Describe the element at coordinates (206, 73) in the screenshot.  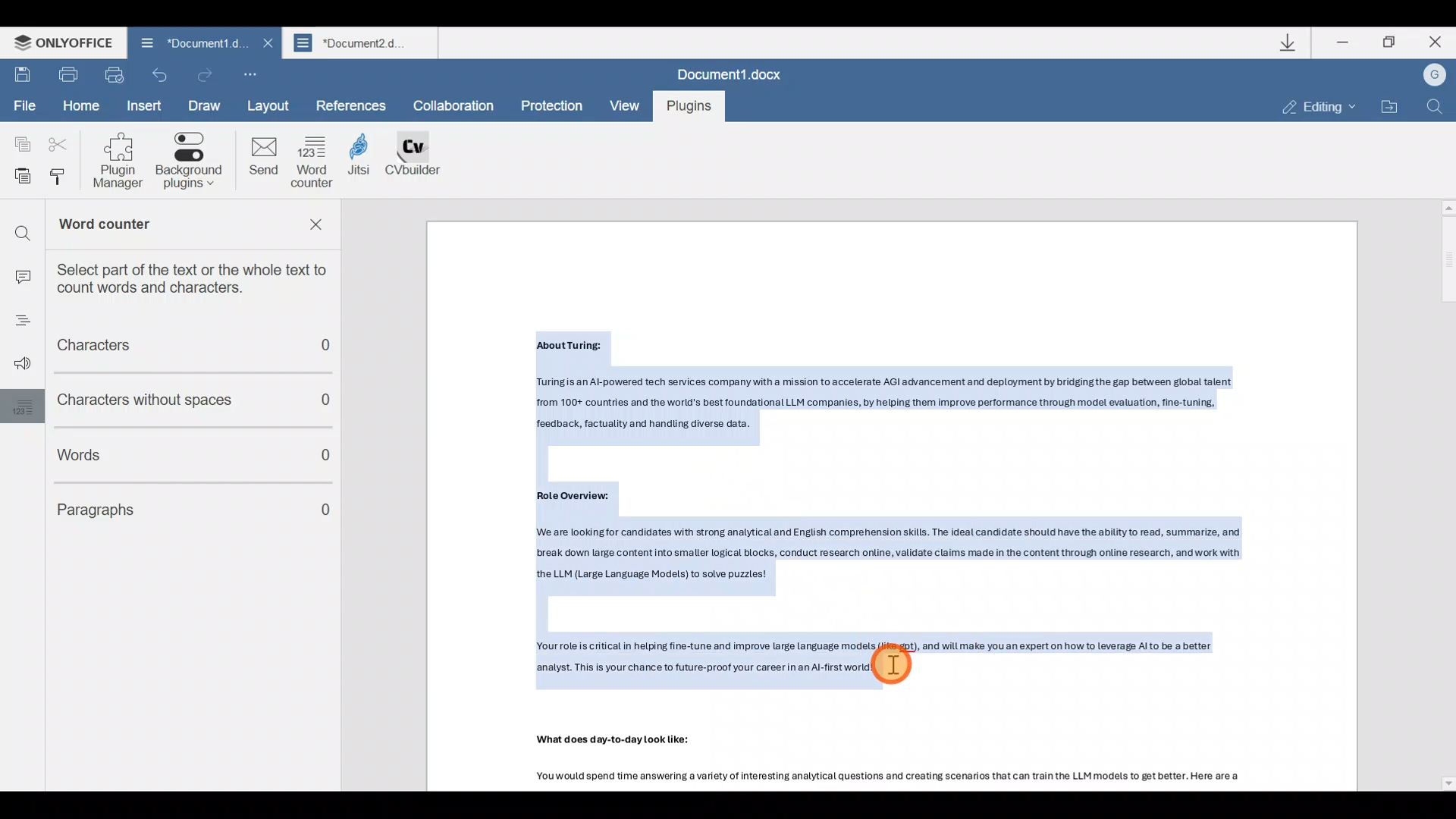
I see `Redo` at that location.